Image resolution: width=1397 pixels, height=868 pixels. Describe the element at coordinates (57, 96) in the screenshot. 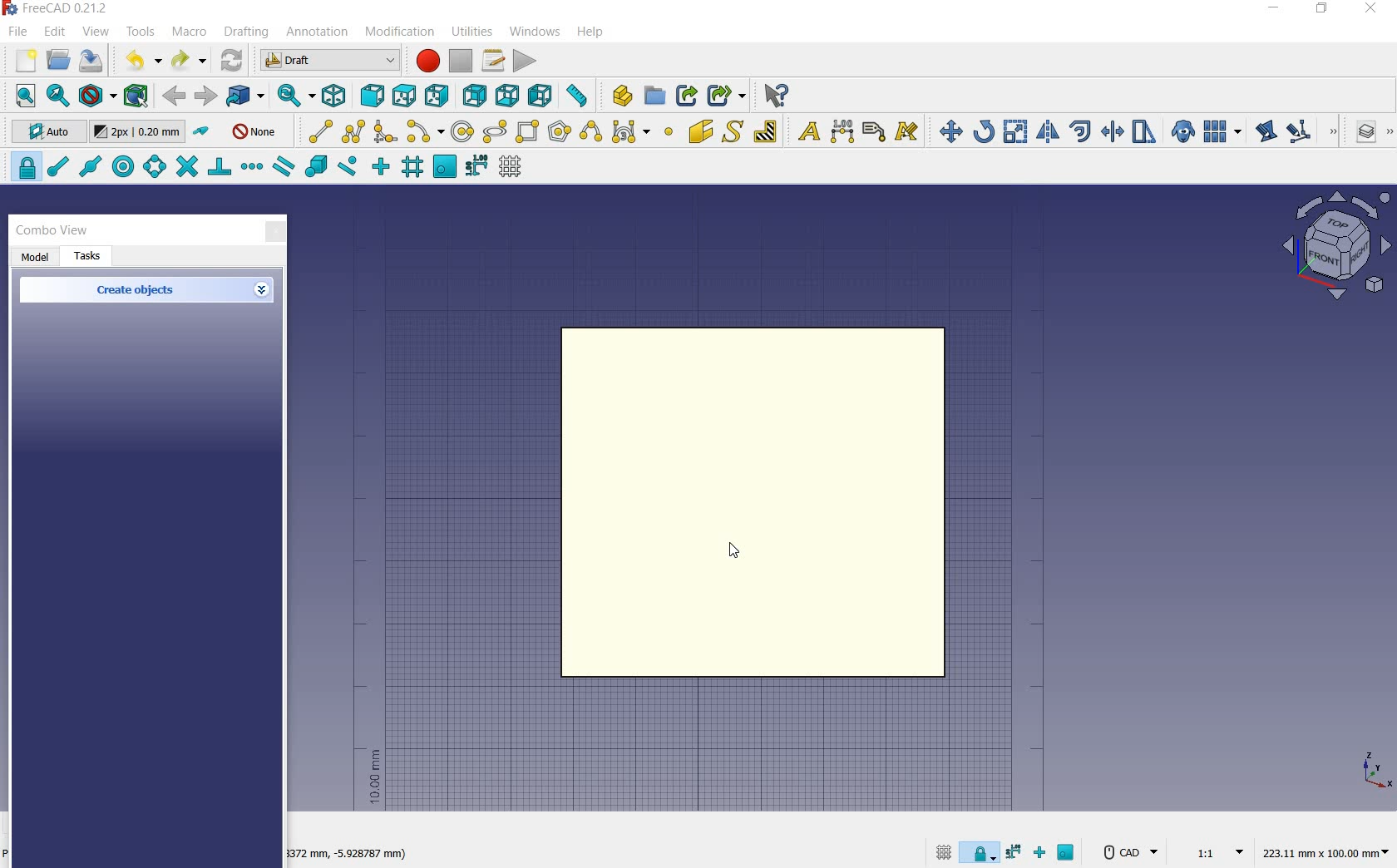

I see `fit selection` at that location.